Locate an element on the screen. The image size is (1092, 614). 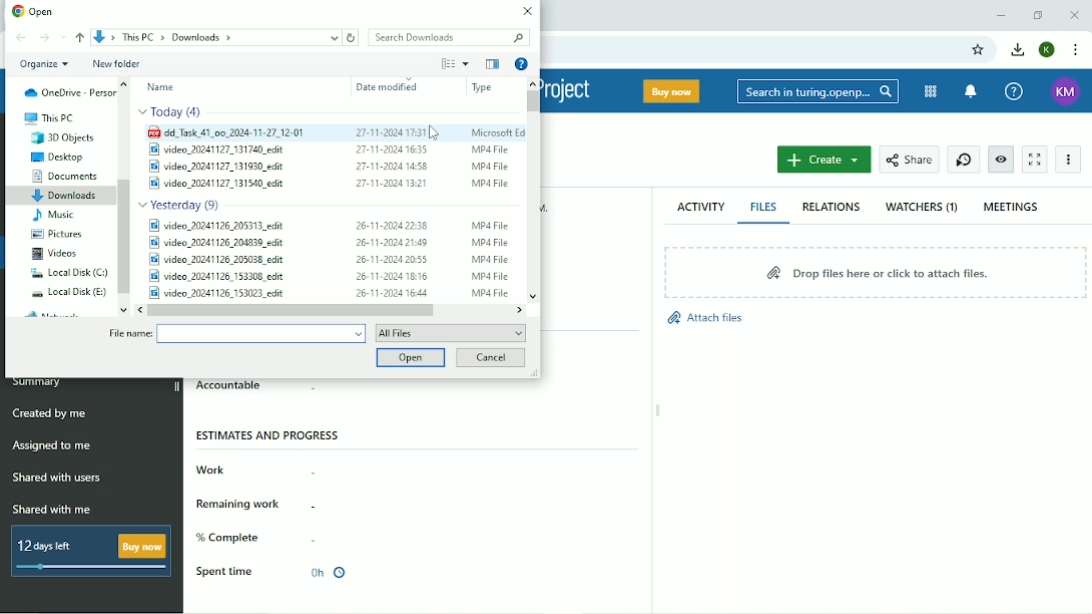
Remaining work is located at coordinates (242, 503).